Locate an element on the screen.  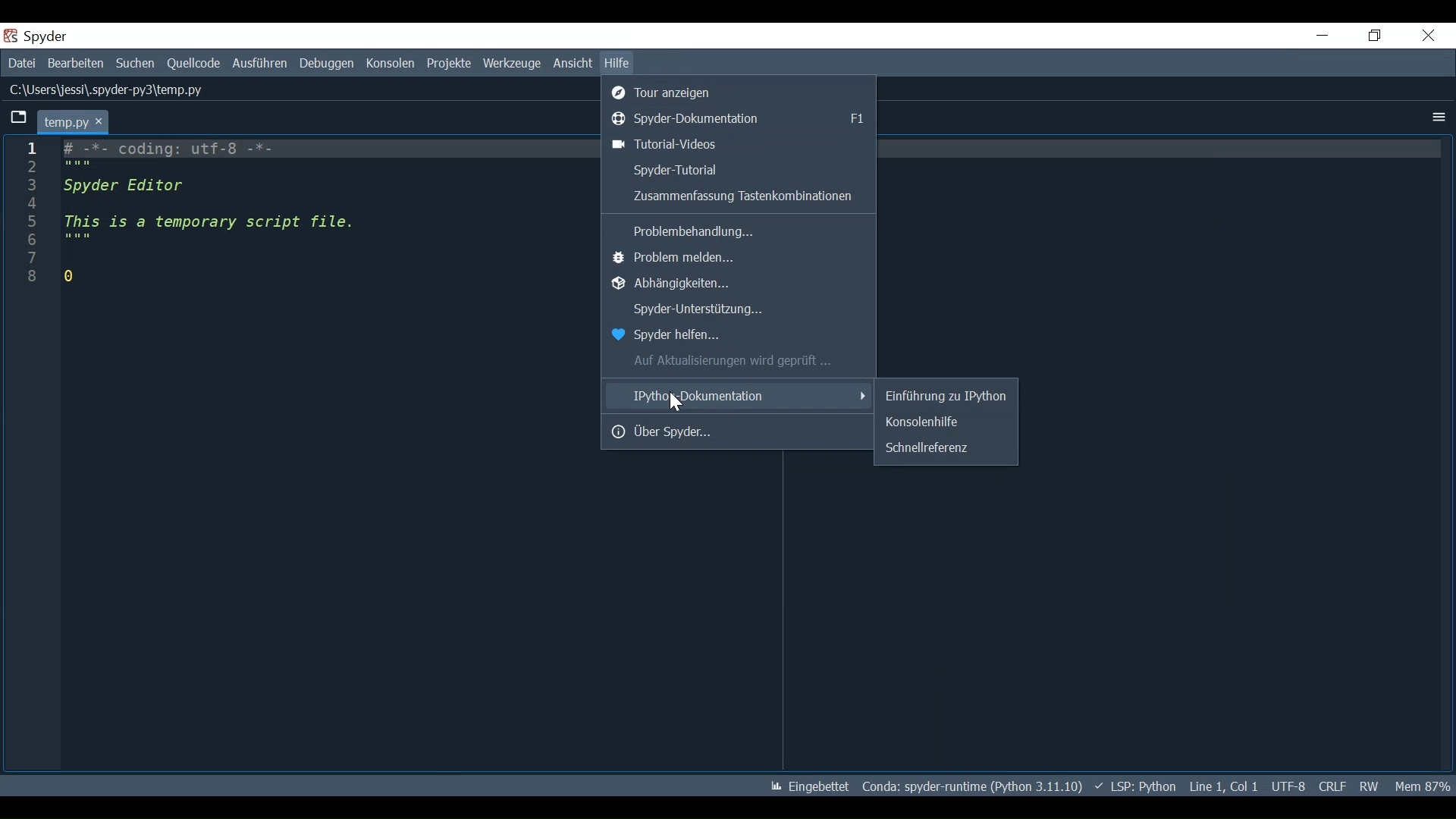
temp.py is located at coordinates (74, 121).